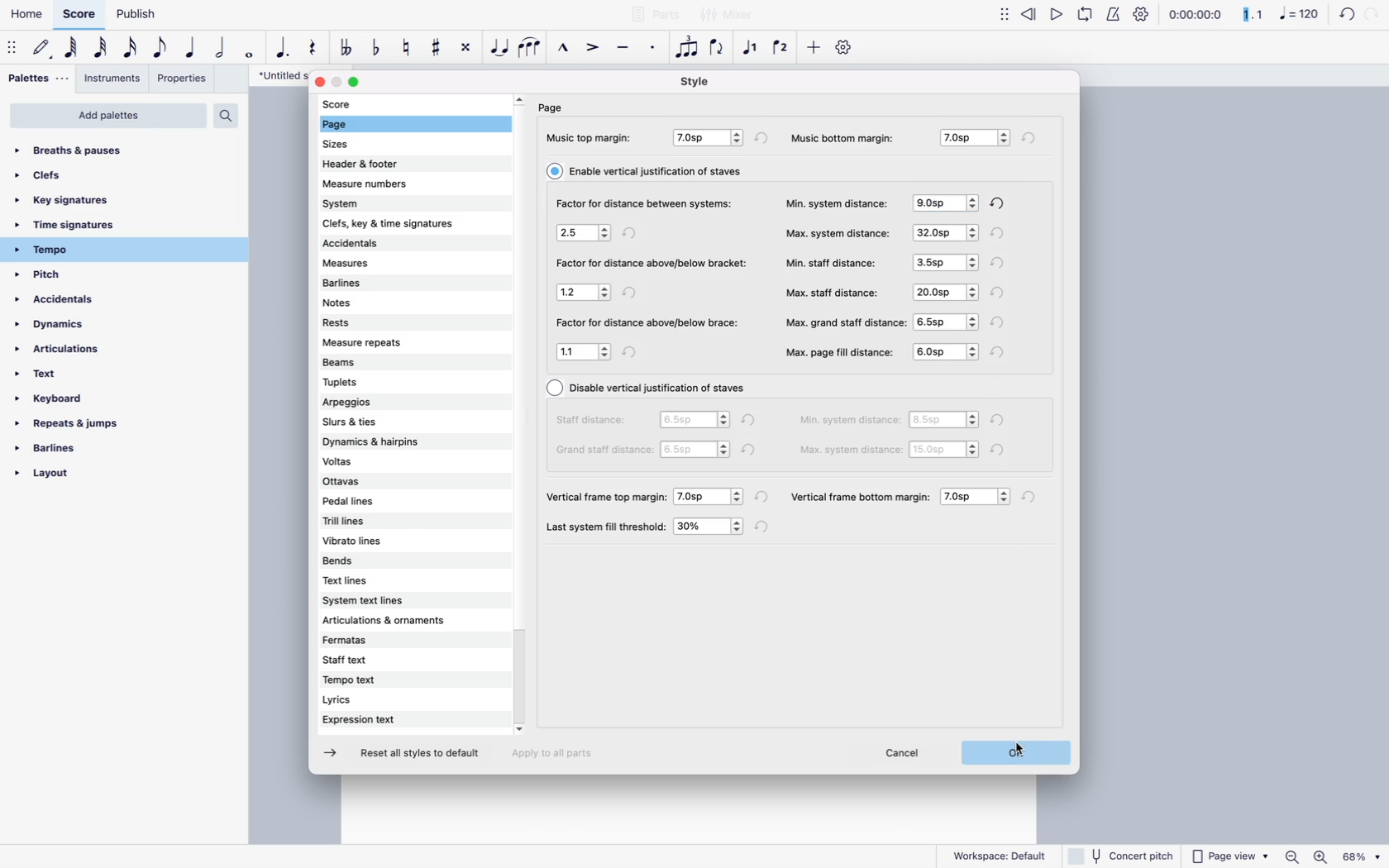 The width and height of the screenshot is (1389, 868). What do you see at coordinates (840, 352) in the screenshot?
I see `max page fill distance` at bounding box center [840, 352].